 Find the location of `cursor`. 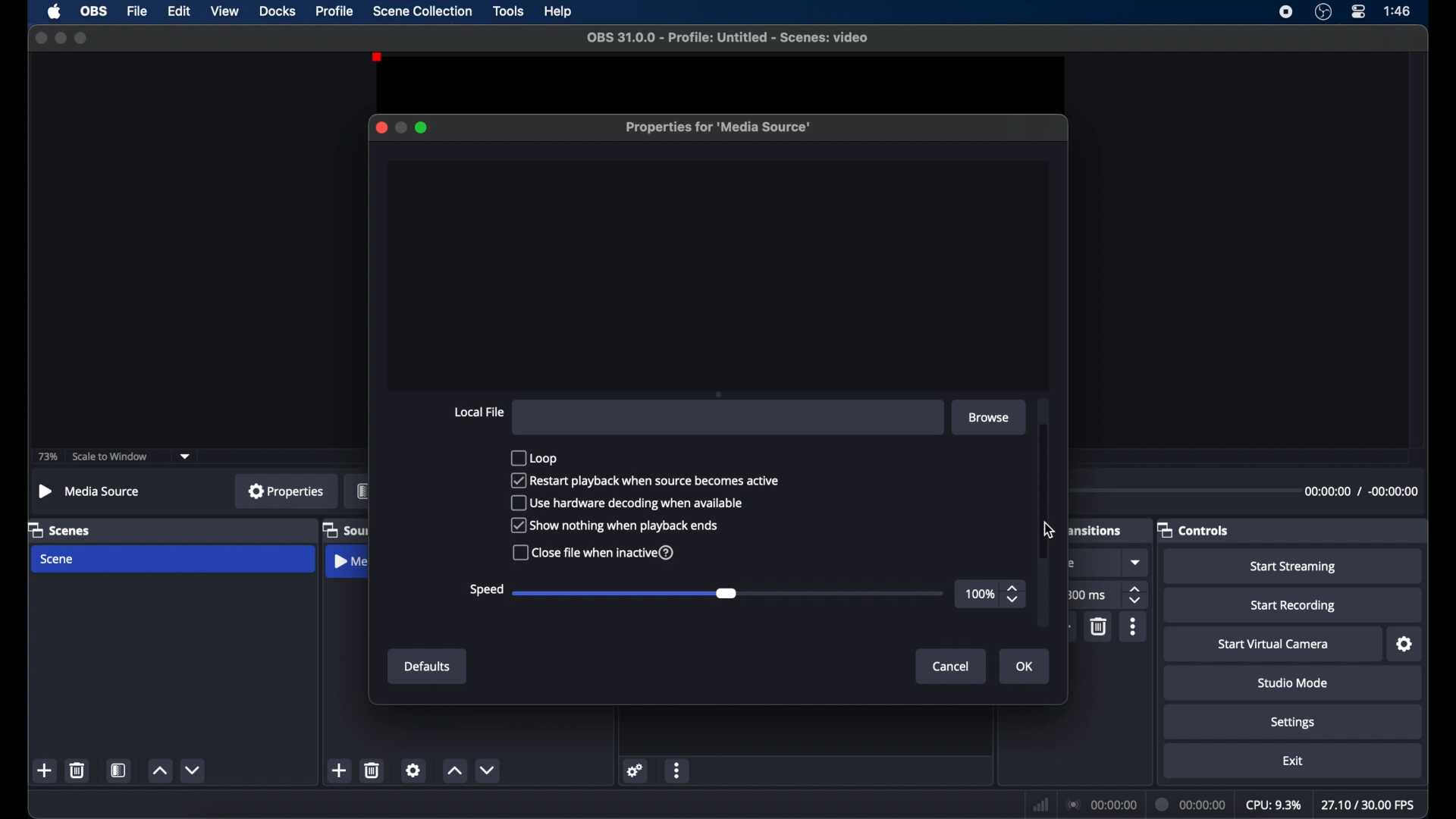

cursor is located at coordinates (1050, 529).